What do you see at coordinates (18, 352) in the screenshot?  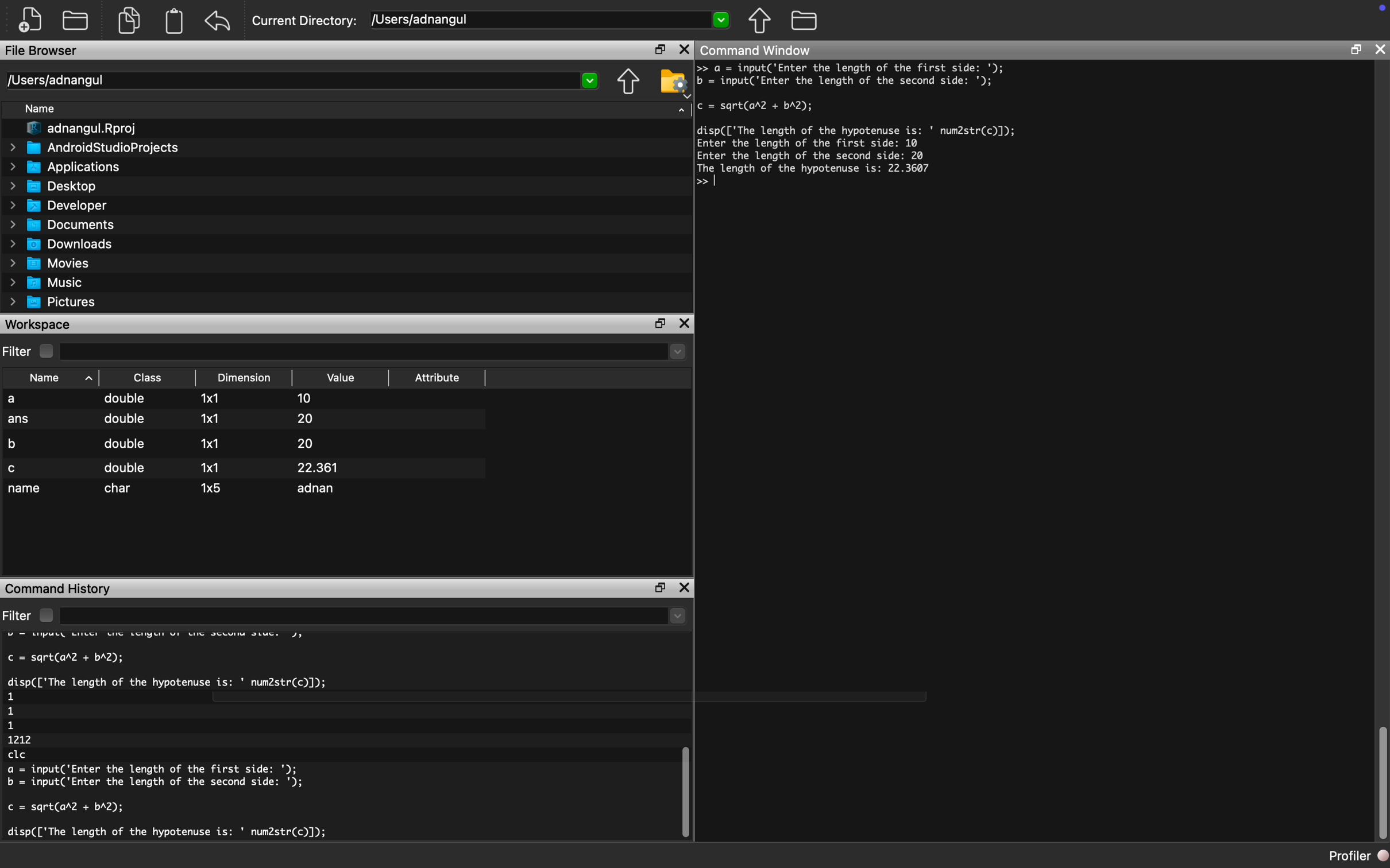 I see `Filter` at bounding box center [18, 352].